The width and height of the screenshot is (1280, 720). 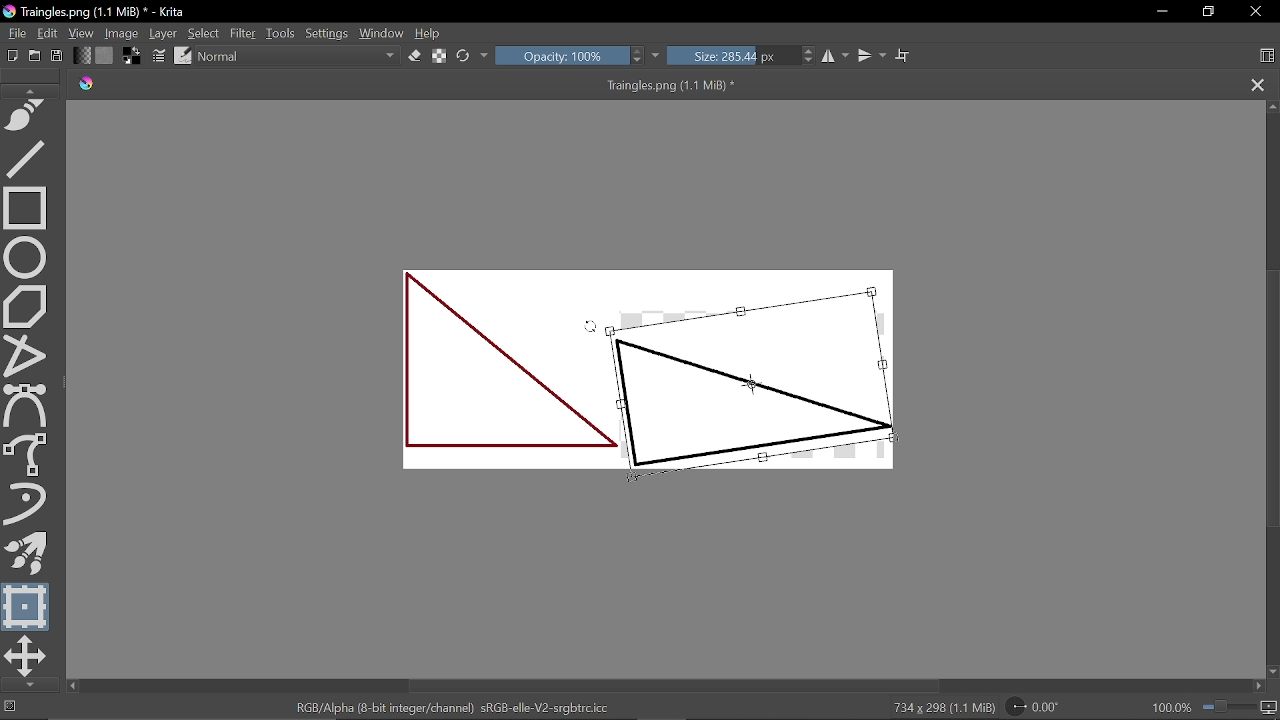 What do you see at coordinates (871, 56) in the screenshot?
I see `Vertical mirror` at bounding box center [871, 56].